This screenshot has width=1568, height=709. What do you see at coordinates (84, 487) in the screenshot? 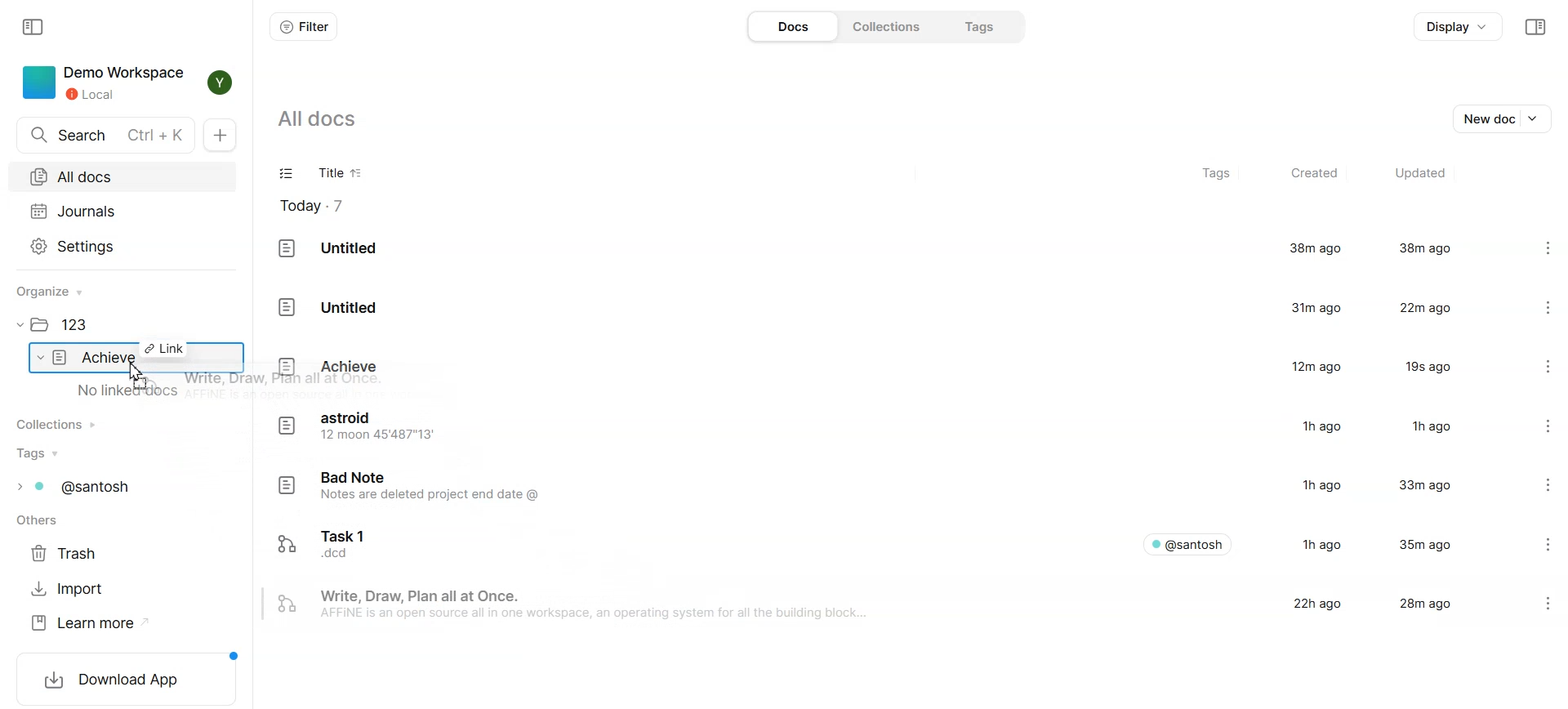
I see `Tags ` at bounding box center [84, 487].